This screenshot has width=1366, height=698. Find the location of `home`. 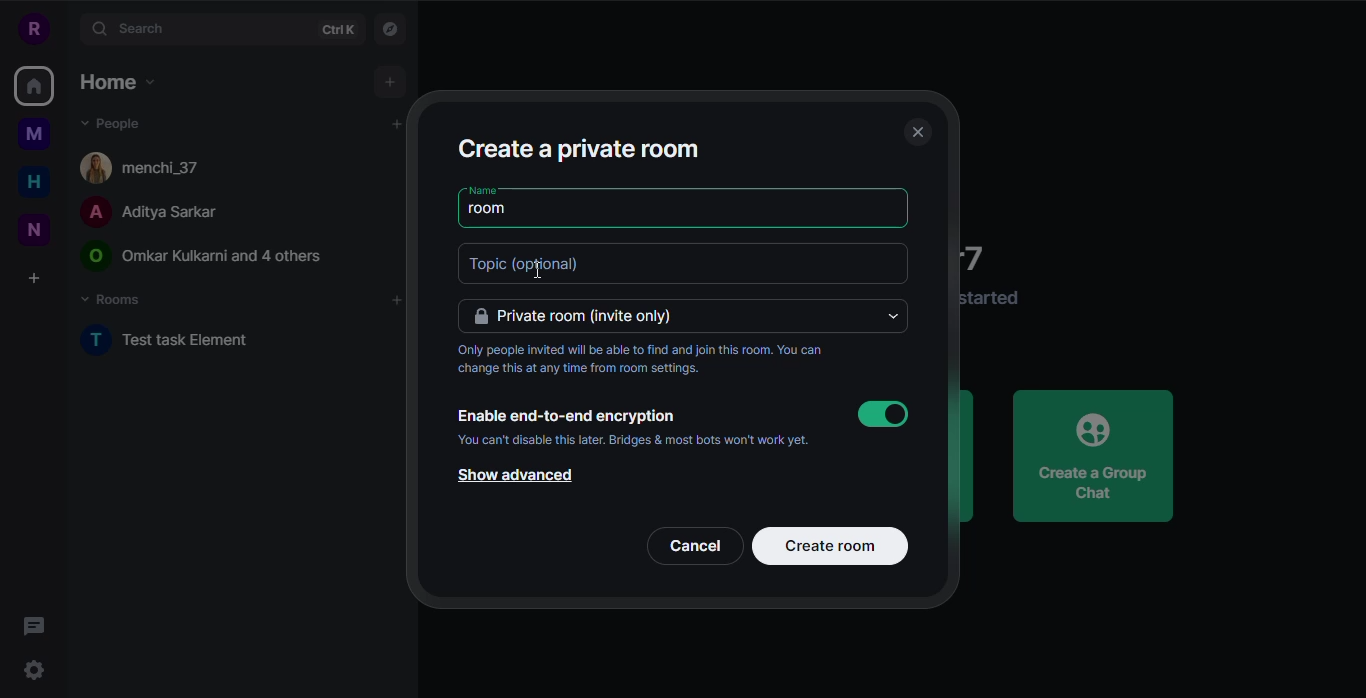

home is located at coordinates (34, 181).